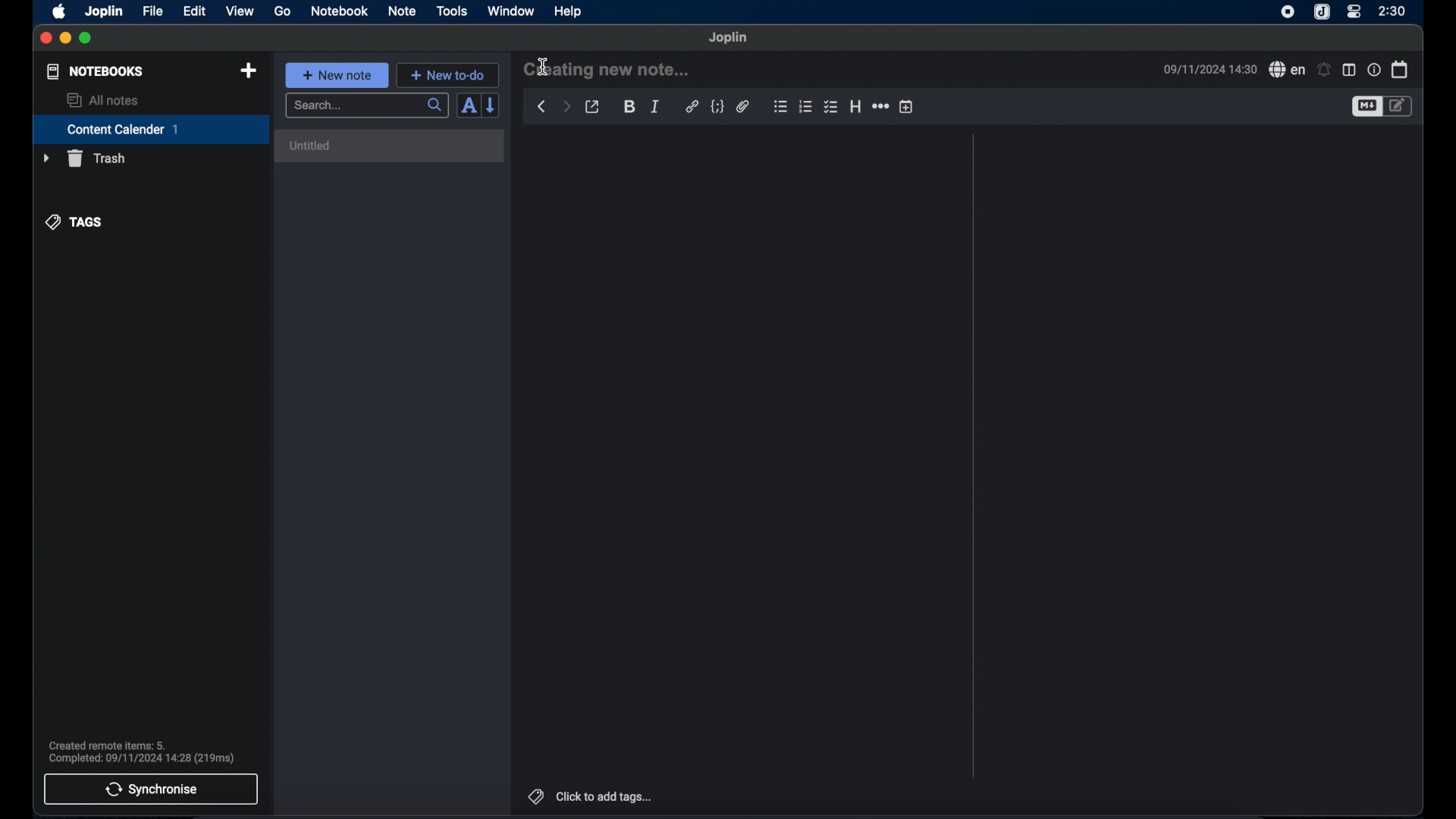  I want to click on calendar icon, so click(1401, 70).